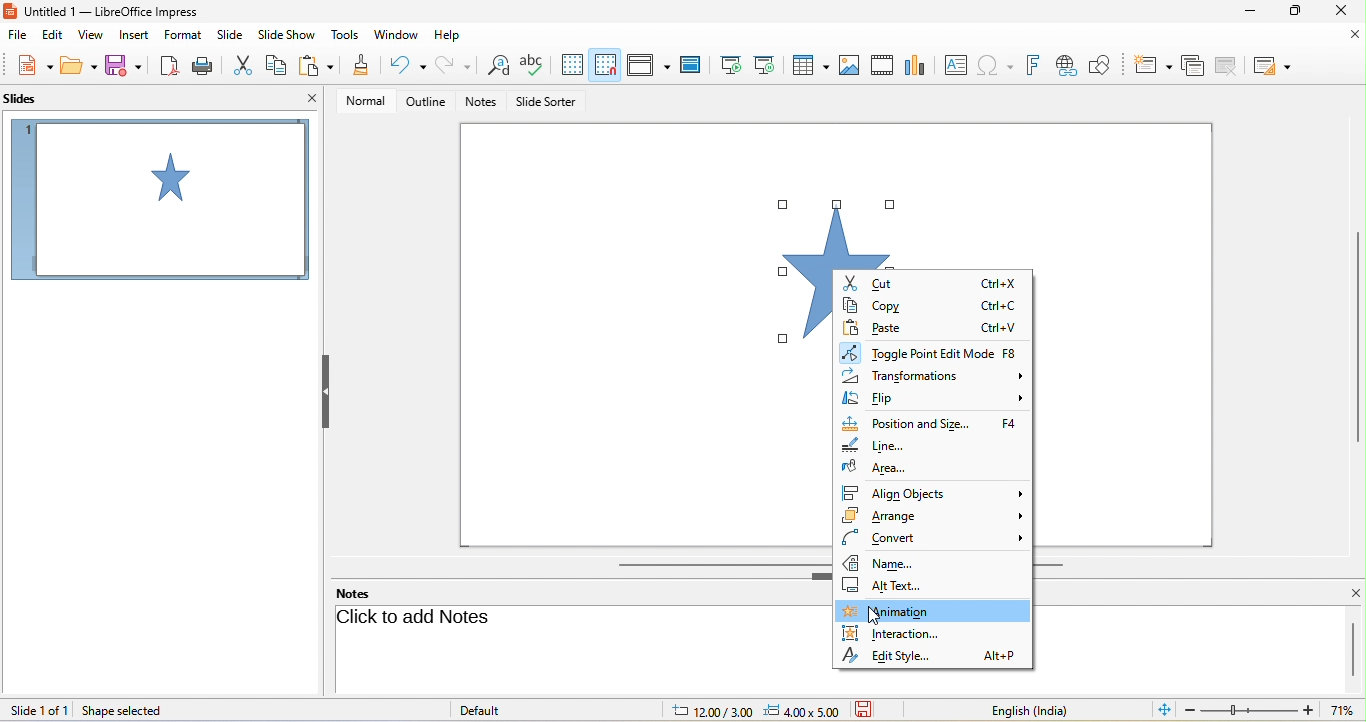  I want to click on paste, so click(317, 65).